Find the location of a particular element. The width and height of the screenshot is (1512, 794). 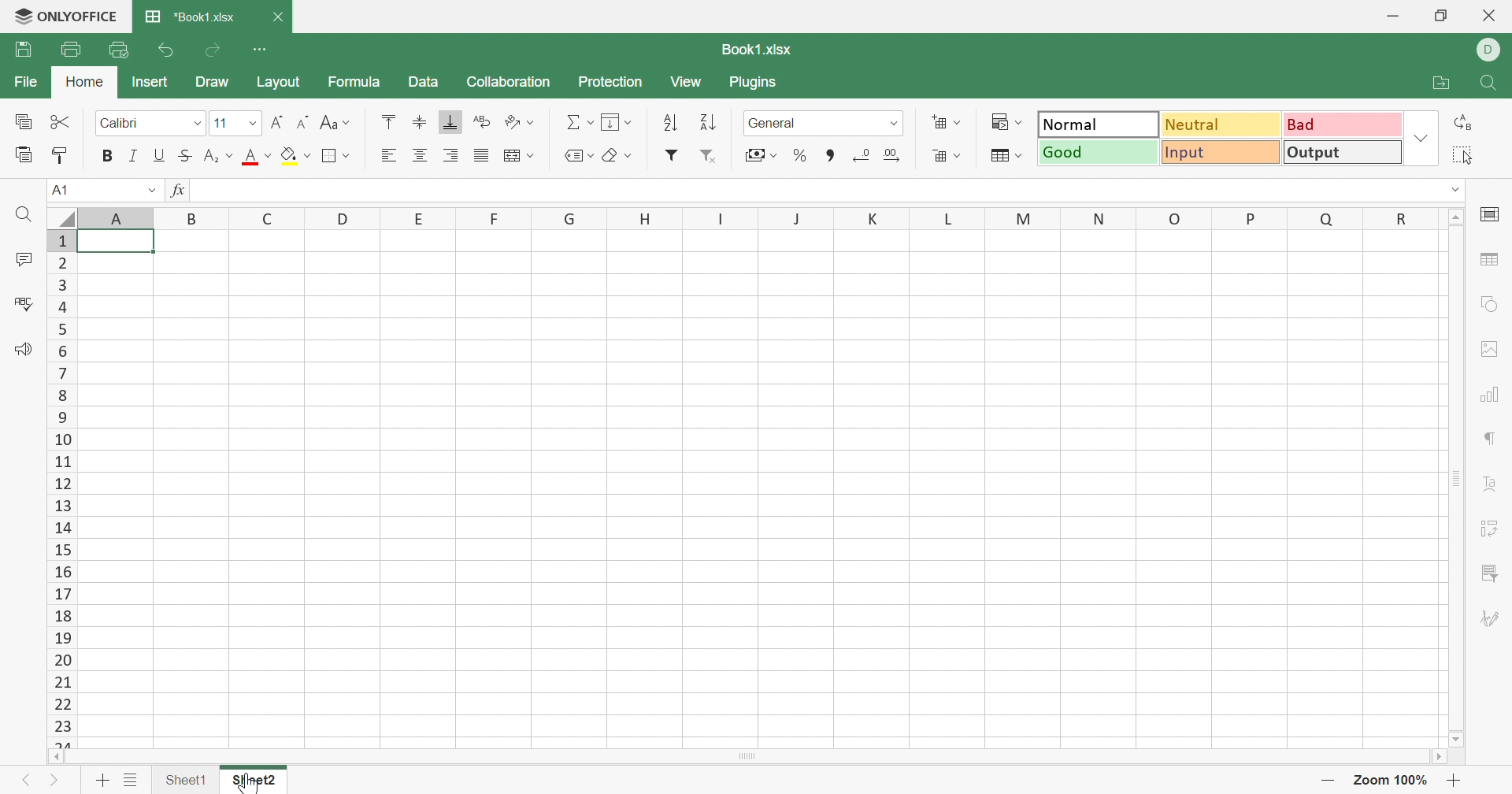

Scroll Bar is located at coordinates (747, 756).